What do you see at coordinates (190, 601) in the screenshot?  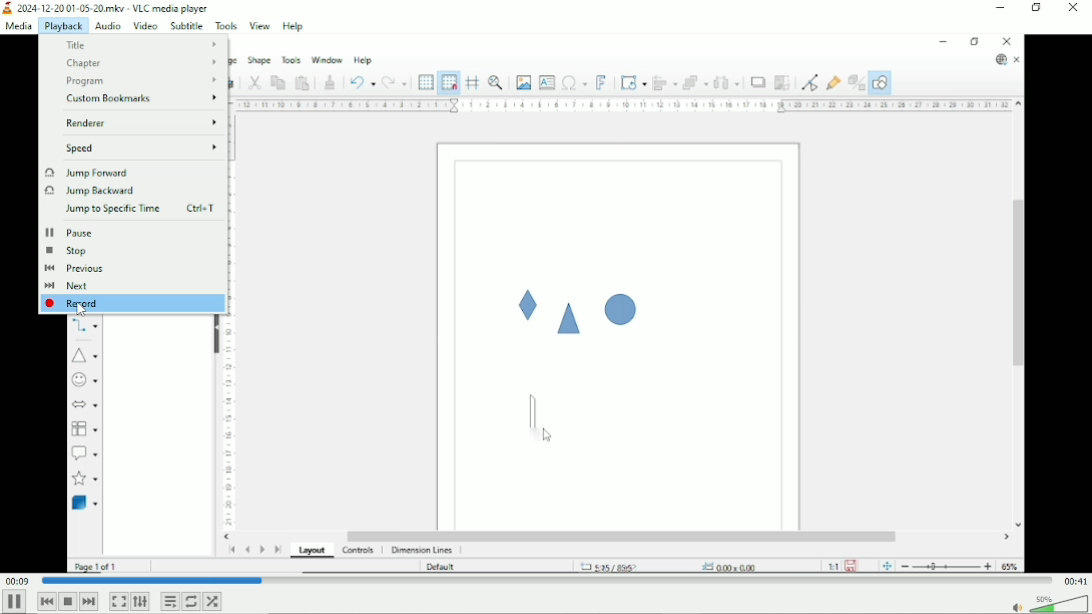 I see `Toggle loop all, loop one and no loop` at bounding box center [190, 601].